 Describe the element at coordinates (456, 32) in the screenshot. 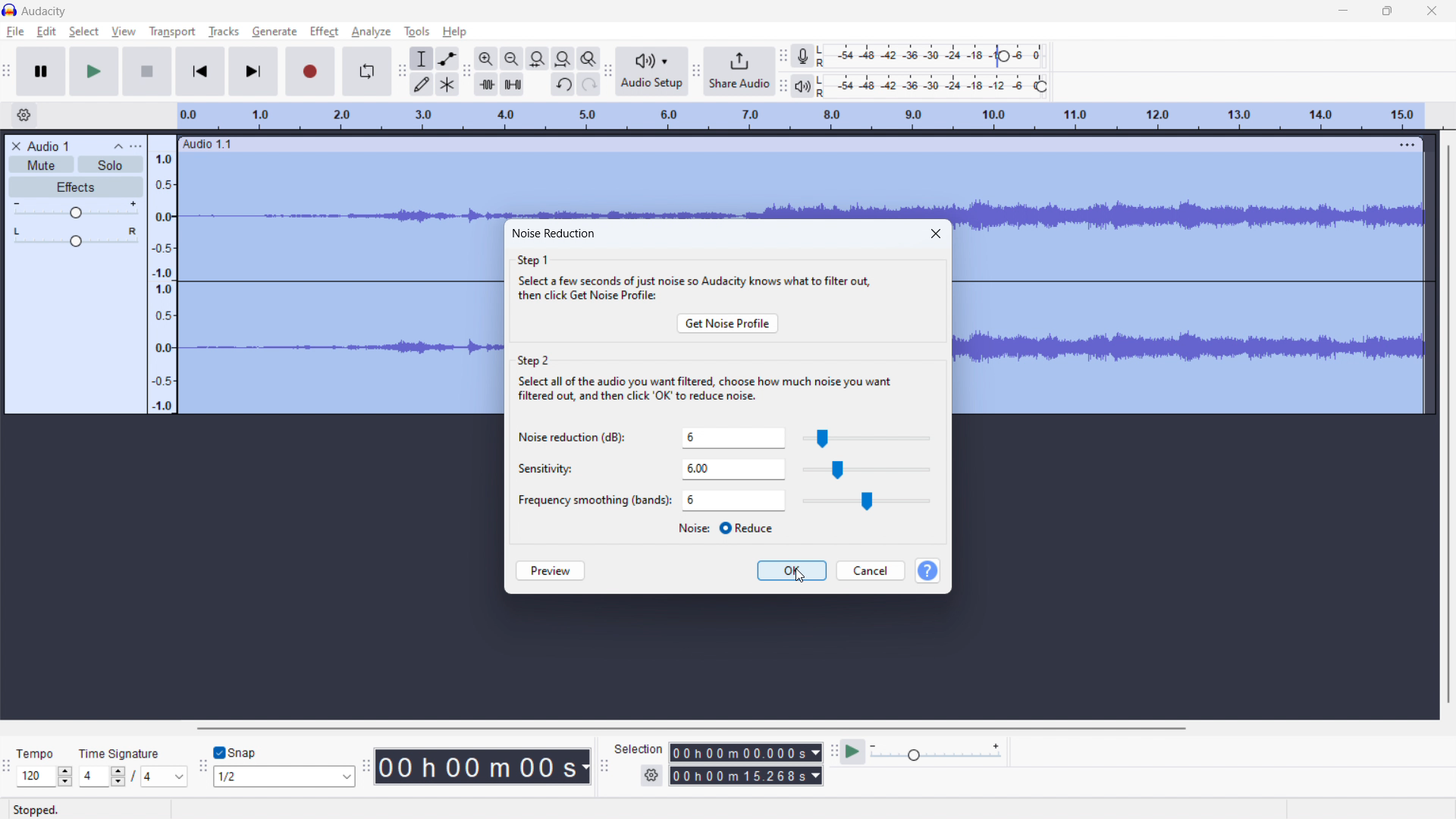

I see `help` at that location.